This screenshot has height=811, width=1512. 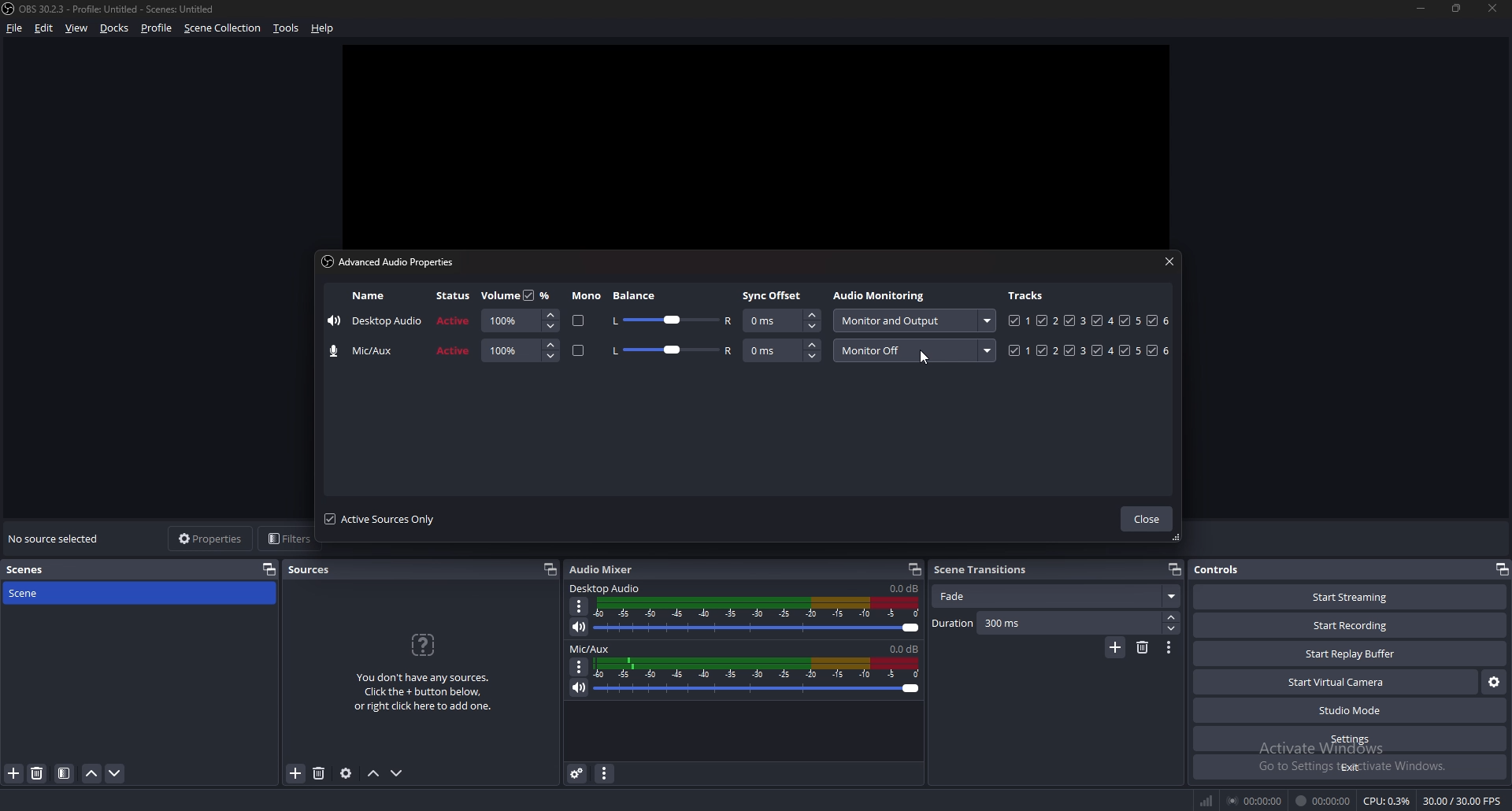 I want to click on volume level, so click(x=903, y=588).